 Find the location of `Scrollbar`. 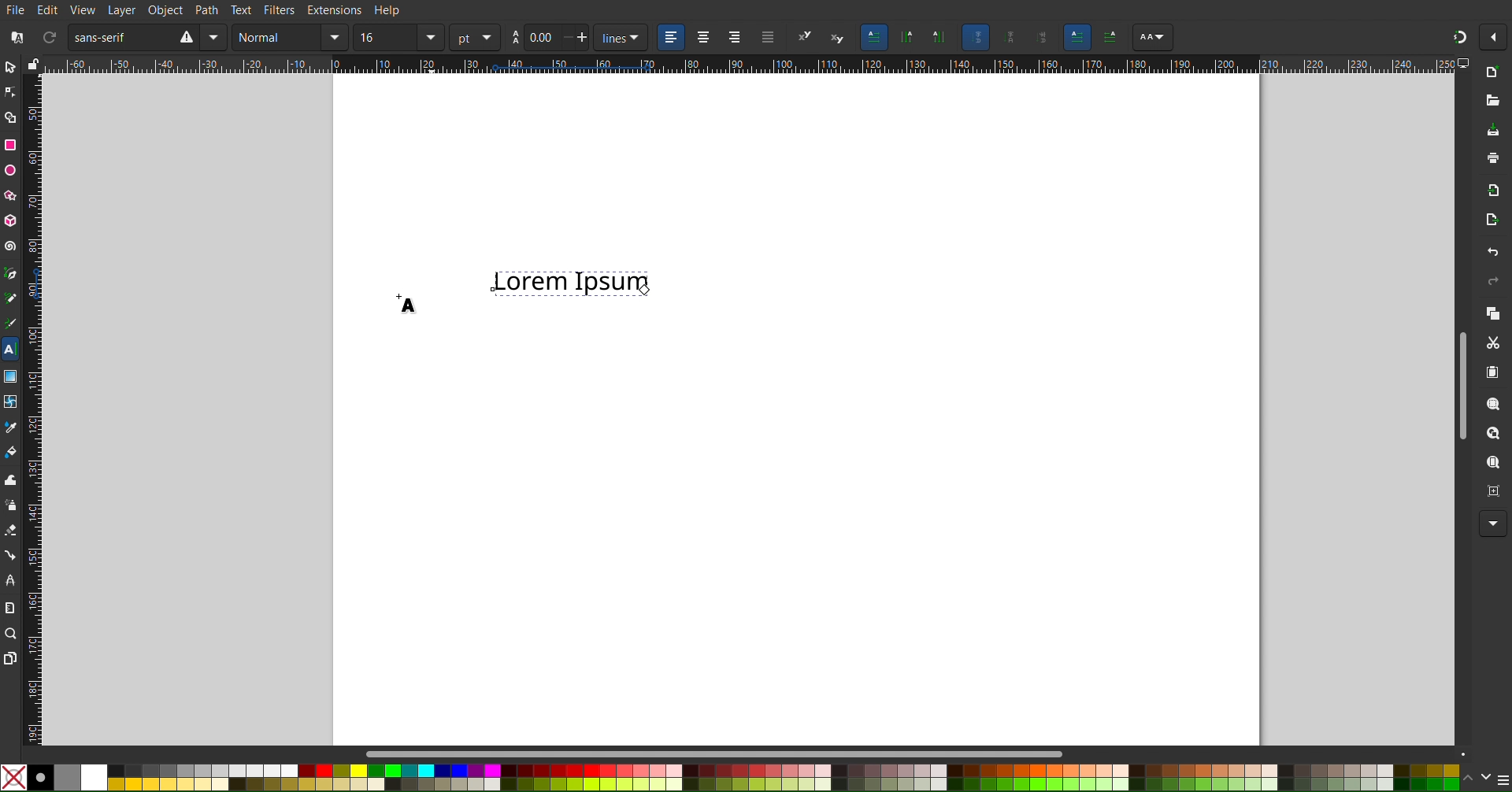

Scrollbar is located at coordinates (917, 751).